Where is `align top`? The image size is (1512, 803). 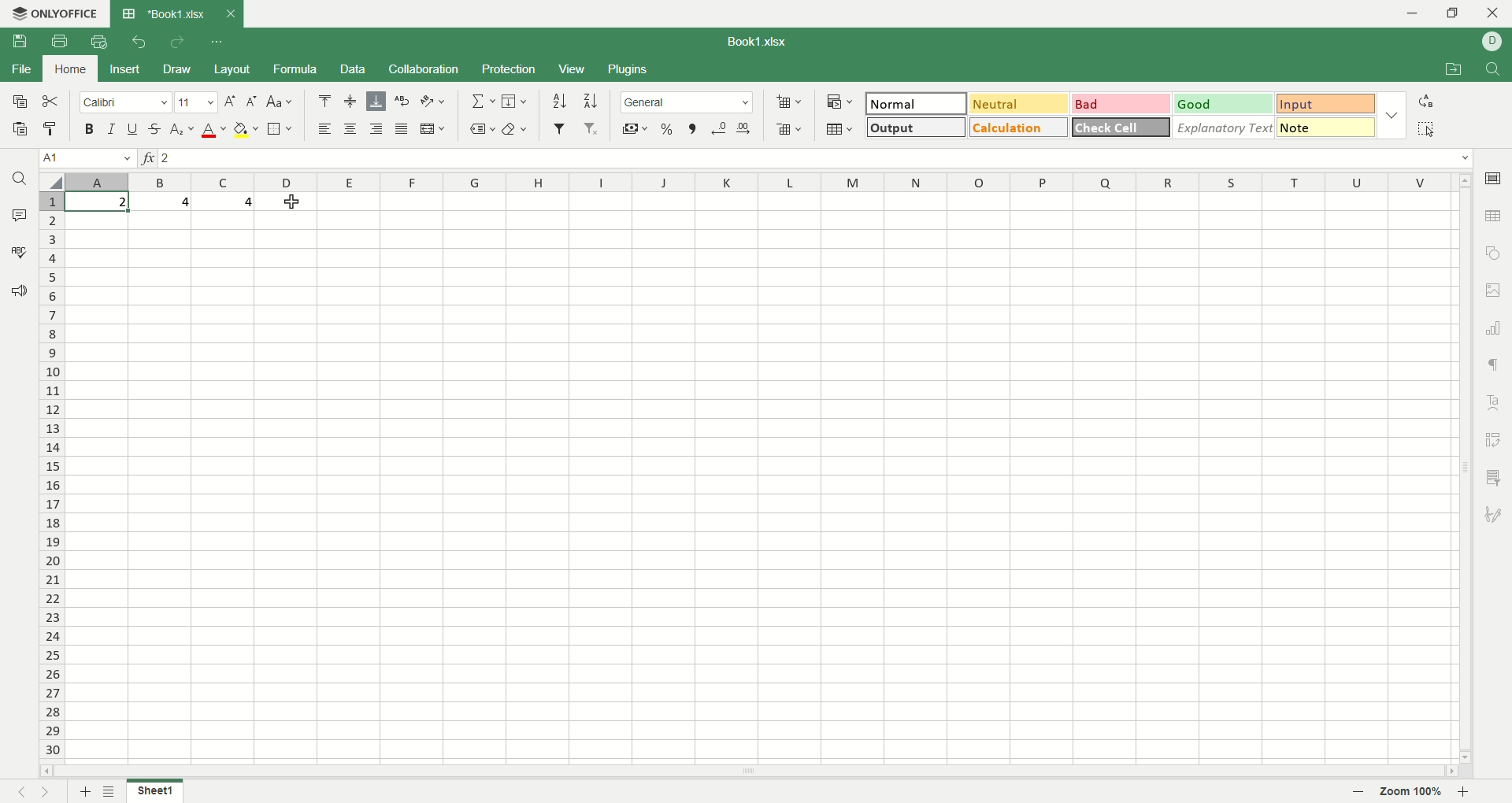 align top is located at coordinates (327, 99).